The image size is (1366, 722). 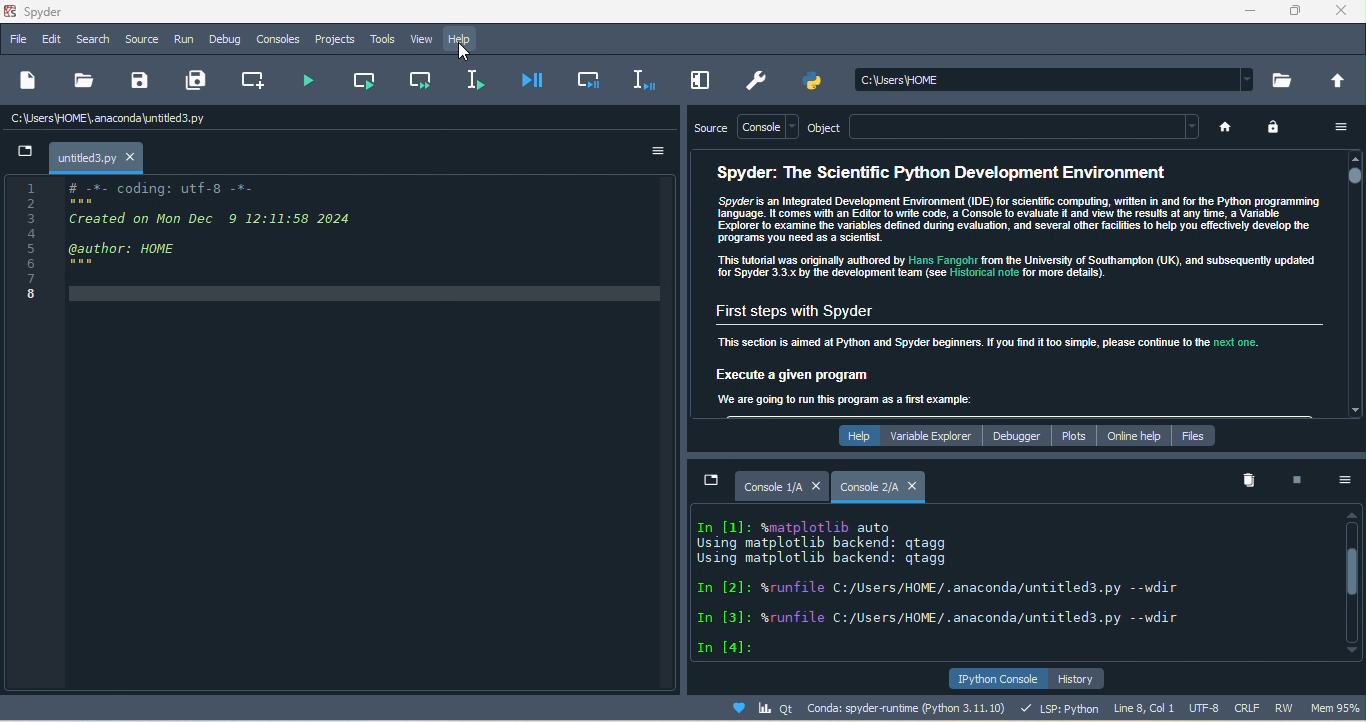 What do you see at coordinates (855, 709) in the screenshot?
I see `conda spyder runtime` at bounding box center [855, 709].